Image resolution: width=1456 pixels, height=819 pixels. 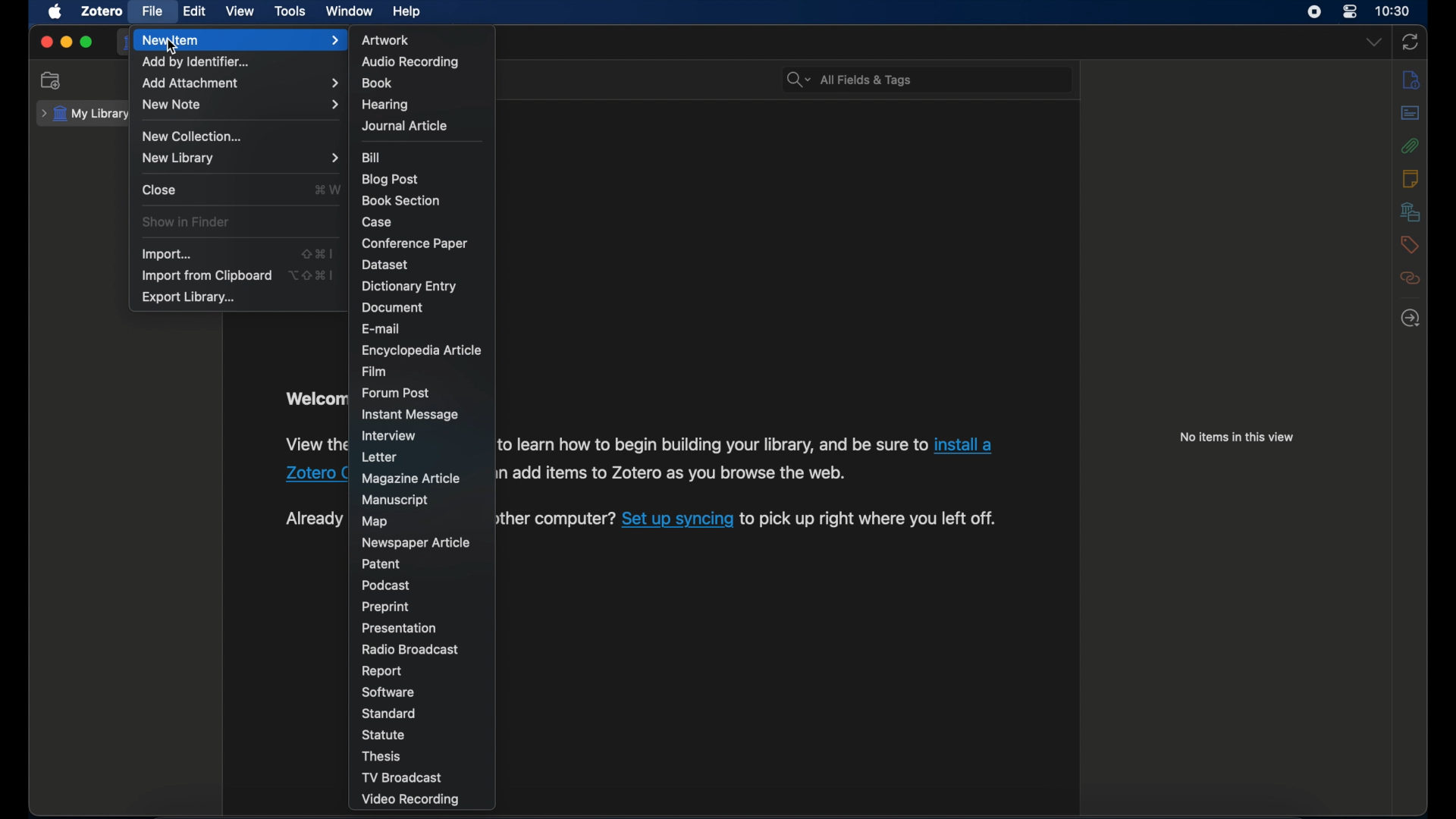 What do you see at coordinates (186, 222) in the screenshot?
I see `show in finder` at bounding box center [186, 222].